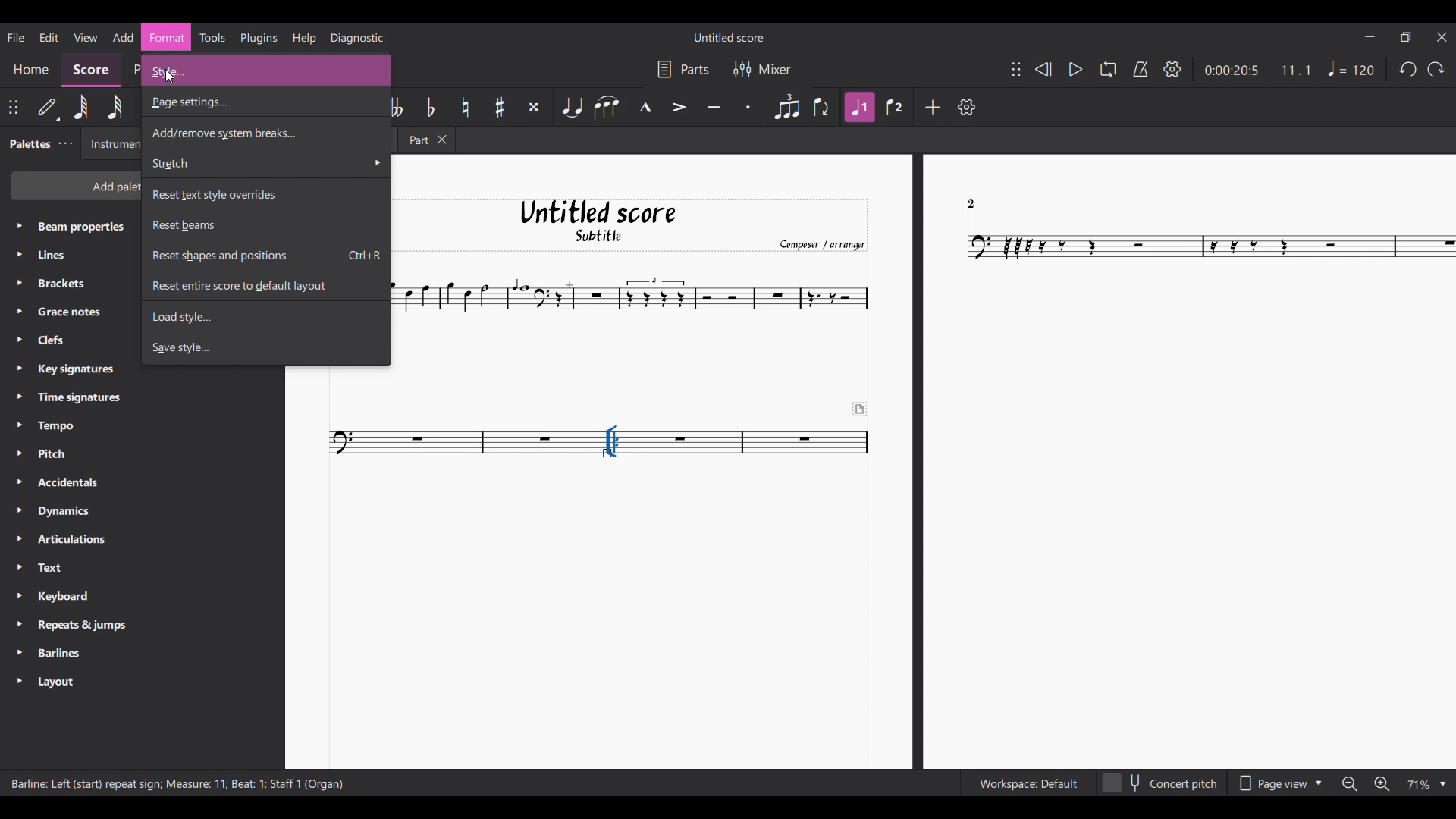  What do you see at coordinates (50, 38) in the screenshot?
I see `Edit menu` at bounding box center [50, 38].